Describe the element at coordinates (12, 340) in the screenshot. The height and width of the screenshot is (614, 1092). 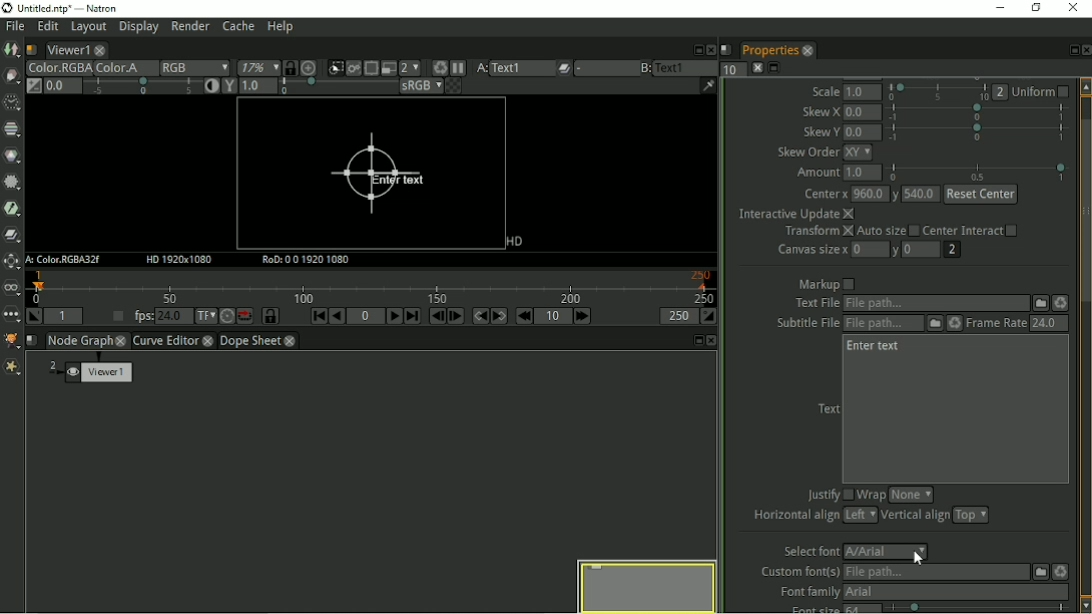
I see `GMIC` at that location.